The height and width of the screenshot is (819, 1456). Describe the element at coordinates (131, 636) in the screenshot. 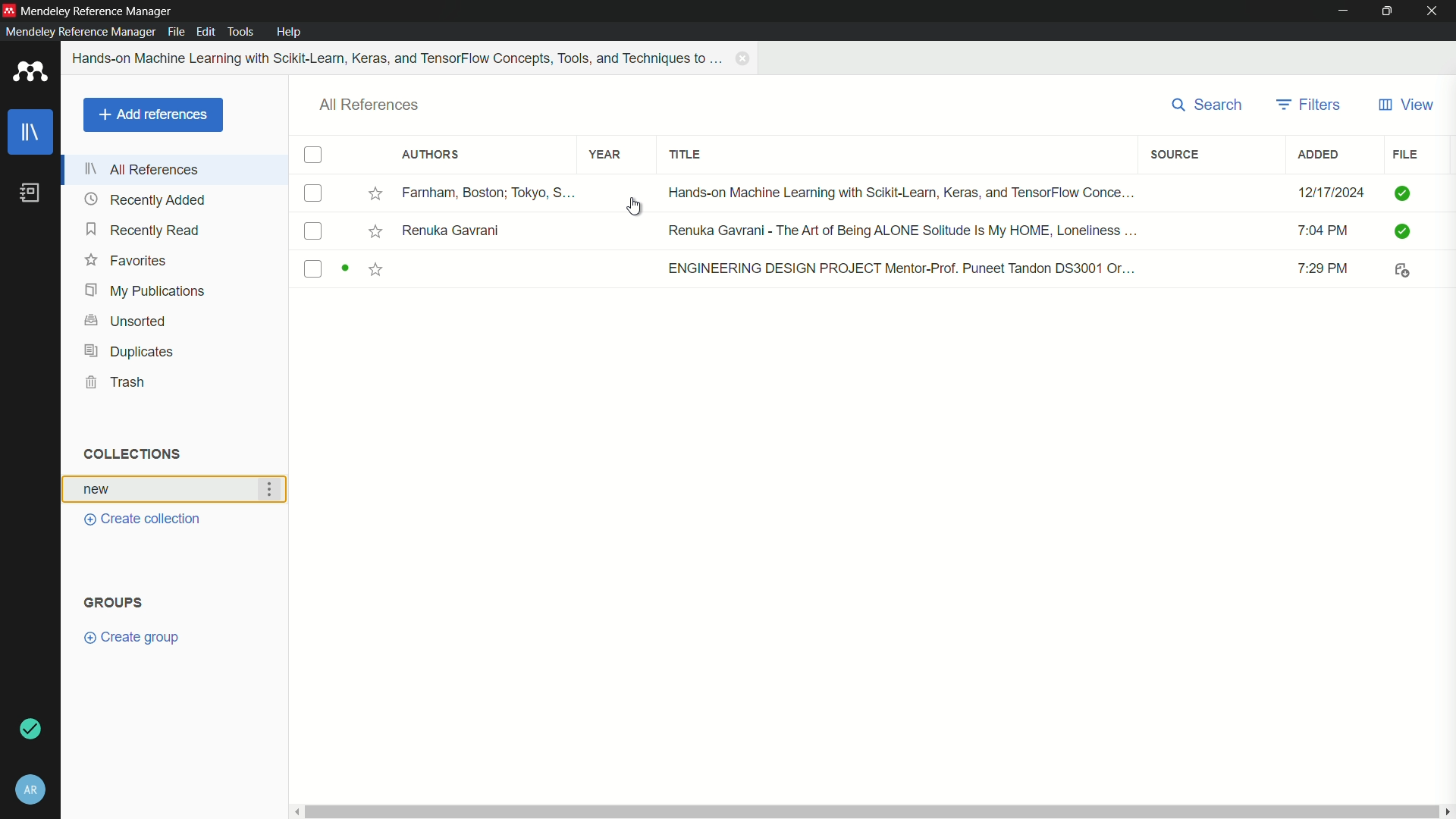

I see `create group` at that location.